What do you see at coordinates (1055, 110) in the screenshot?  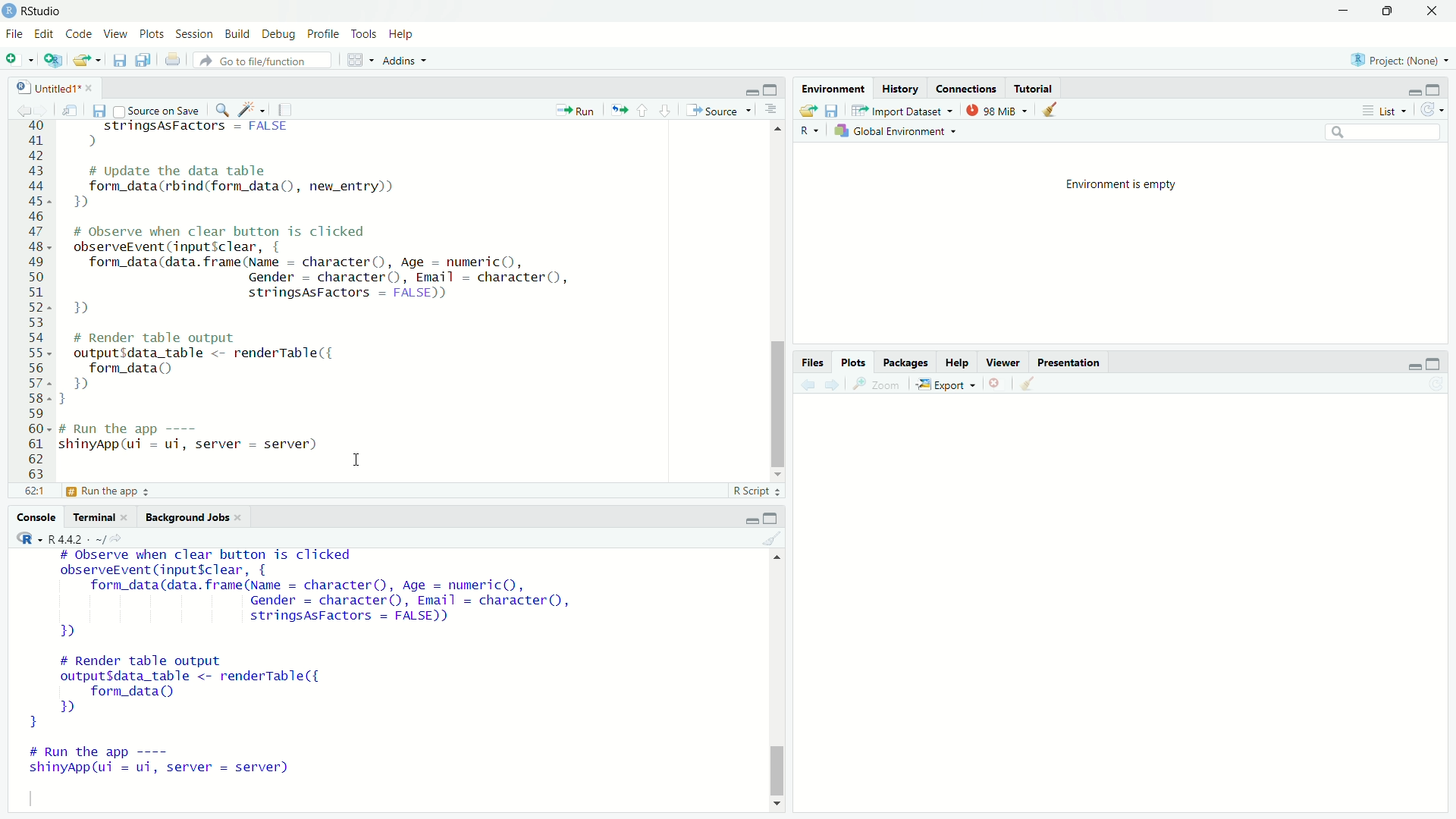 I see `clear objects from the workspace` at bounding box center [1055, 110].